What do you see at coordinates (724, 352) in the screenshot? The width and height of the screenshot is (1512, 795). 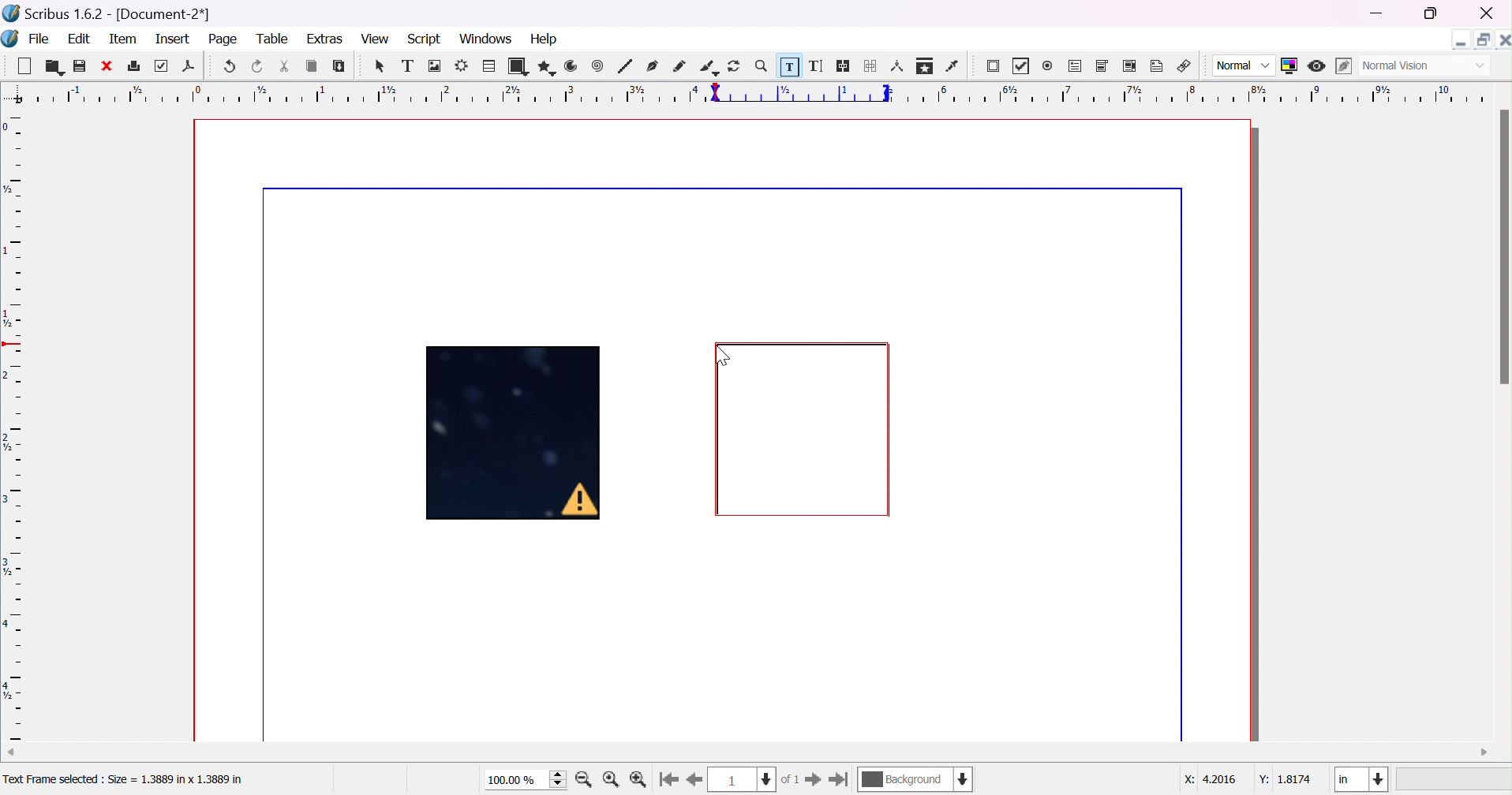 I see `cursor` at bounding box center [724, 352].